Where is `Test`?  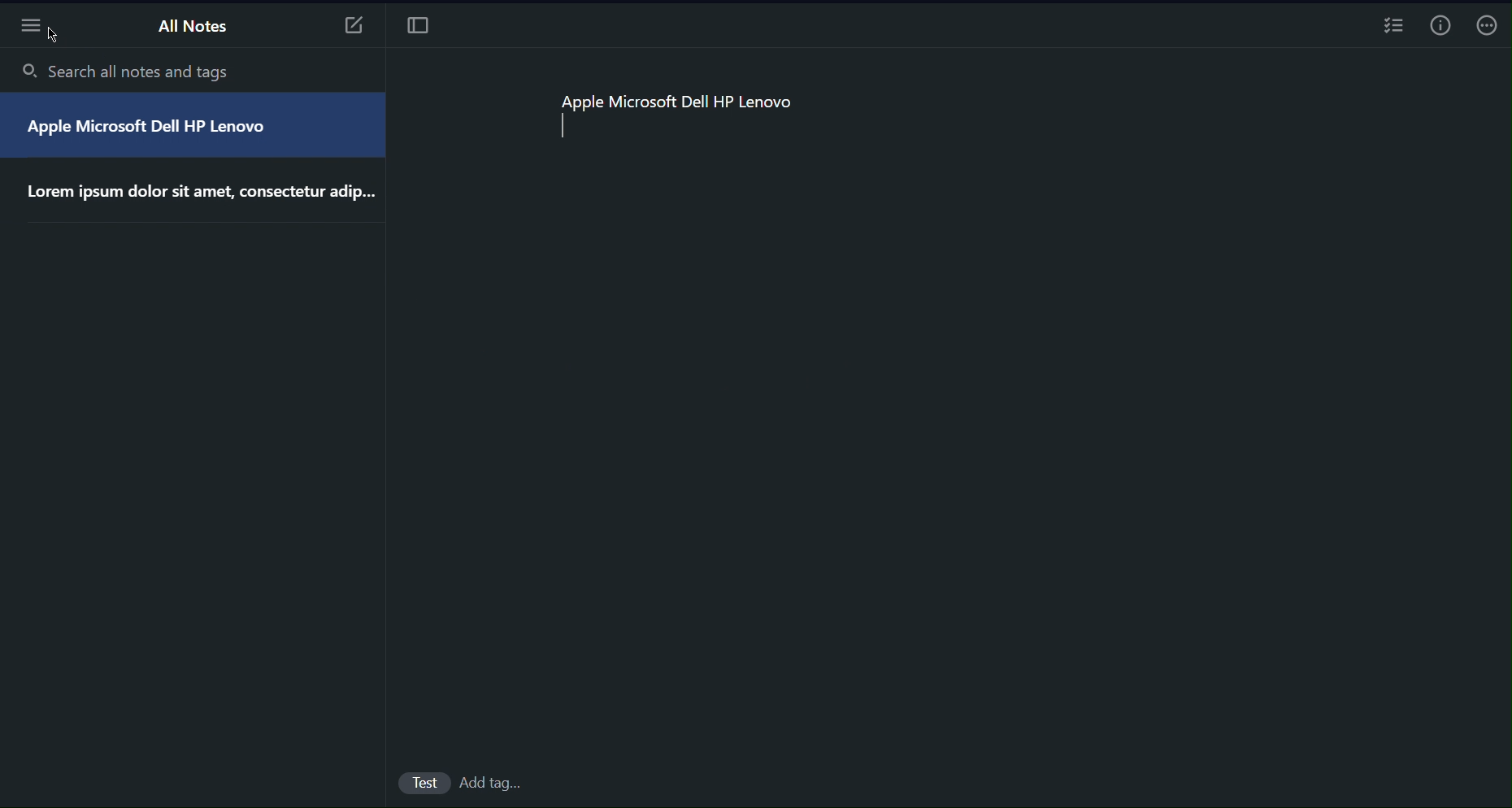
Test is located at coordinates (423, 784).